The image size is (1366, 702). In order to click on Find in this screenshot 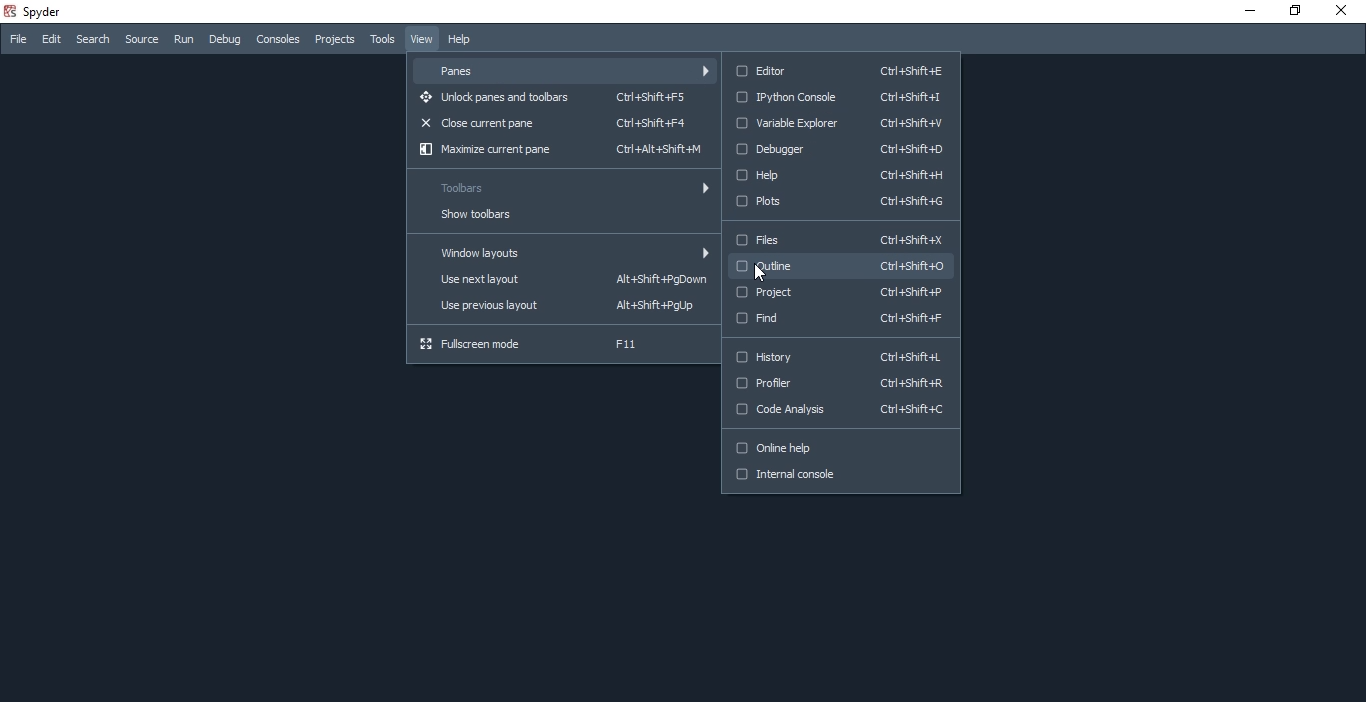, I will do `click(838, 319)`.